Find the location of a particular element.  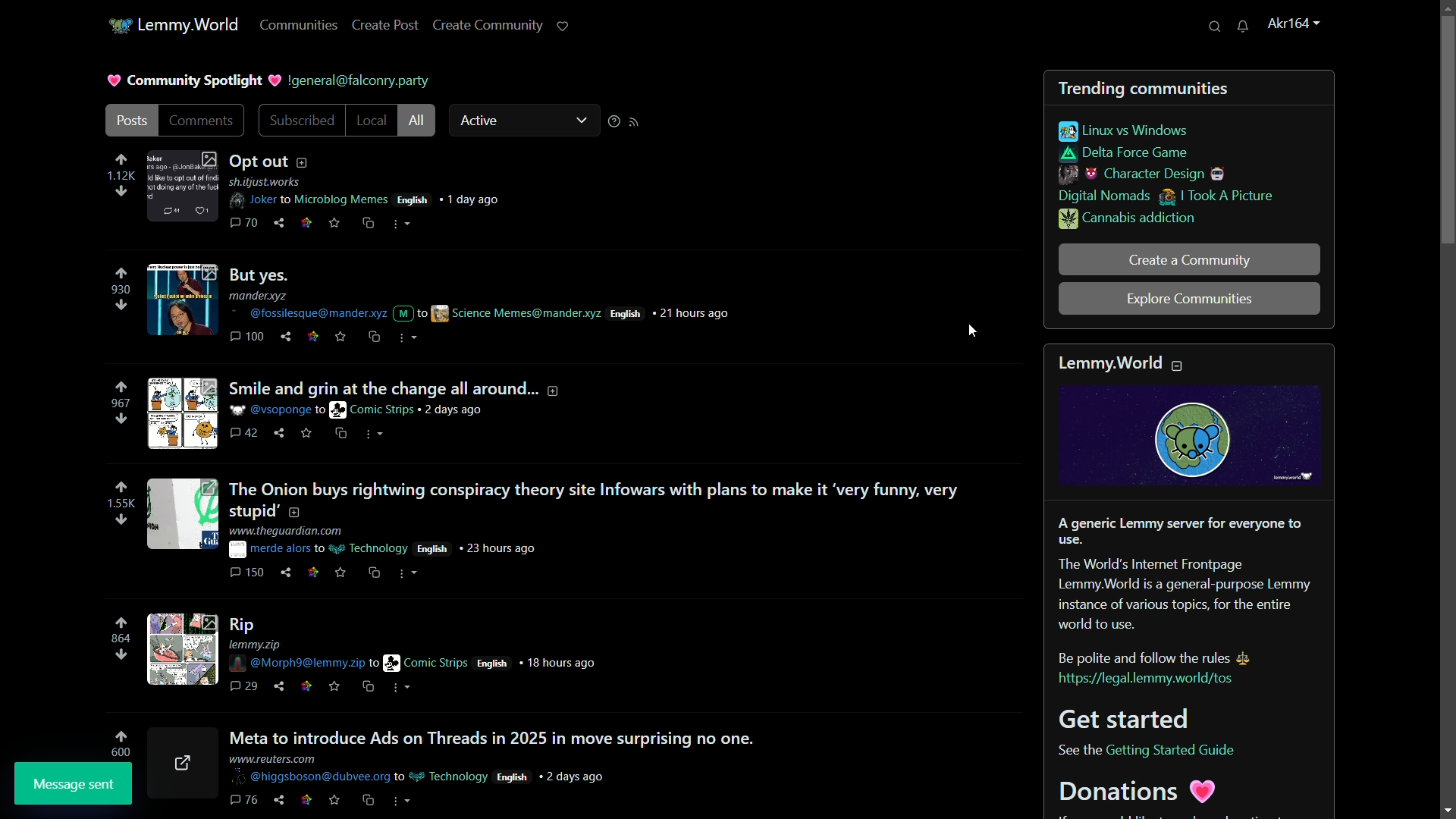

posts details is located at coordinates (416, 768).